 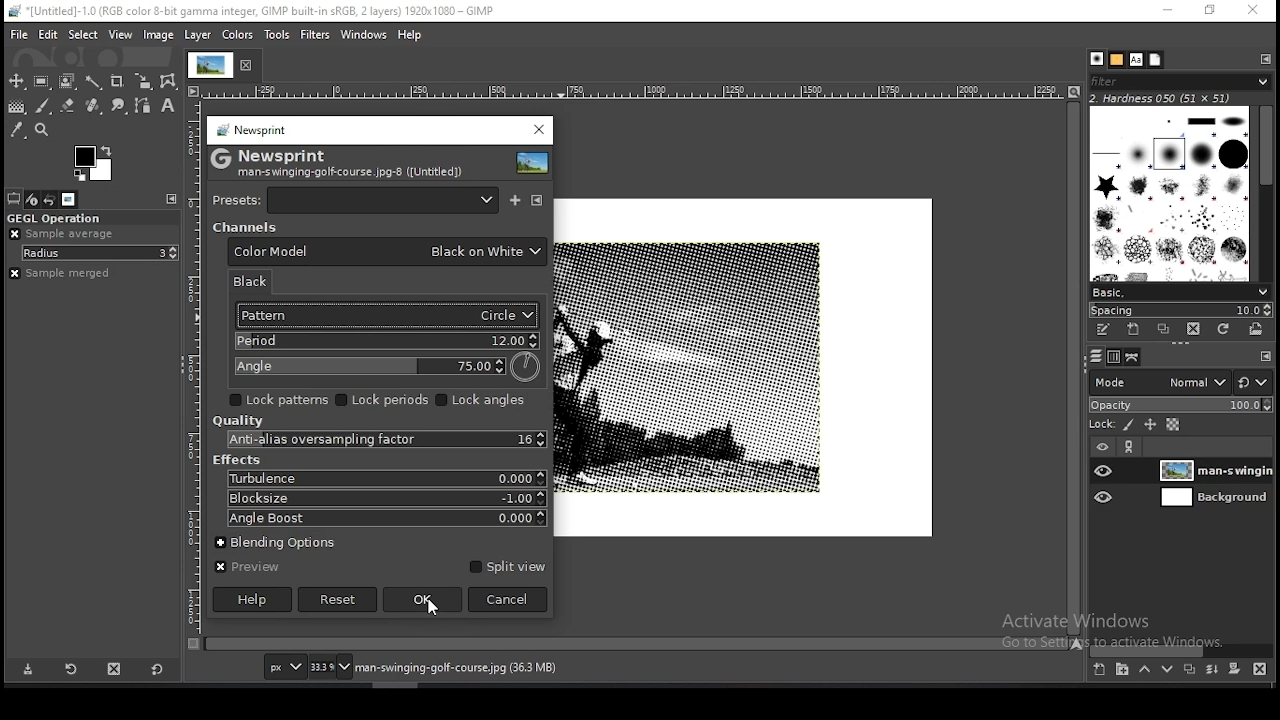 What do you see at coordinates (79, 275) in the screenshot?
I see `sample merged` at bounding box center [79, 275].